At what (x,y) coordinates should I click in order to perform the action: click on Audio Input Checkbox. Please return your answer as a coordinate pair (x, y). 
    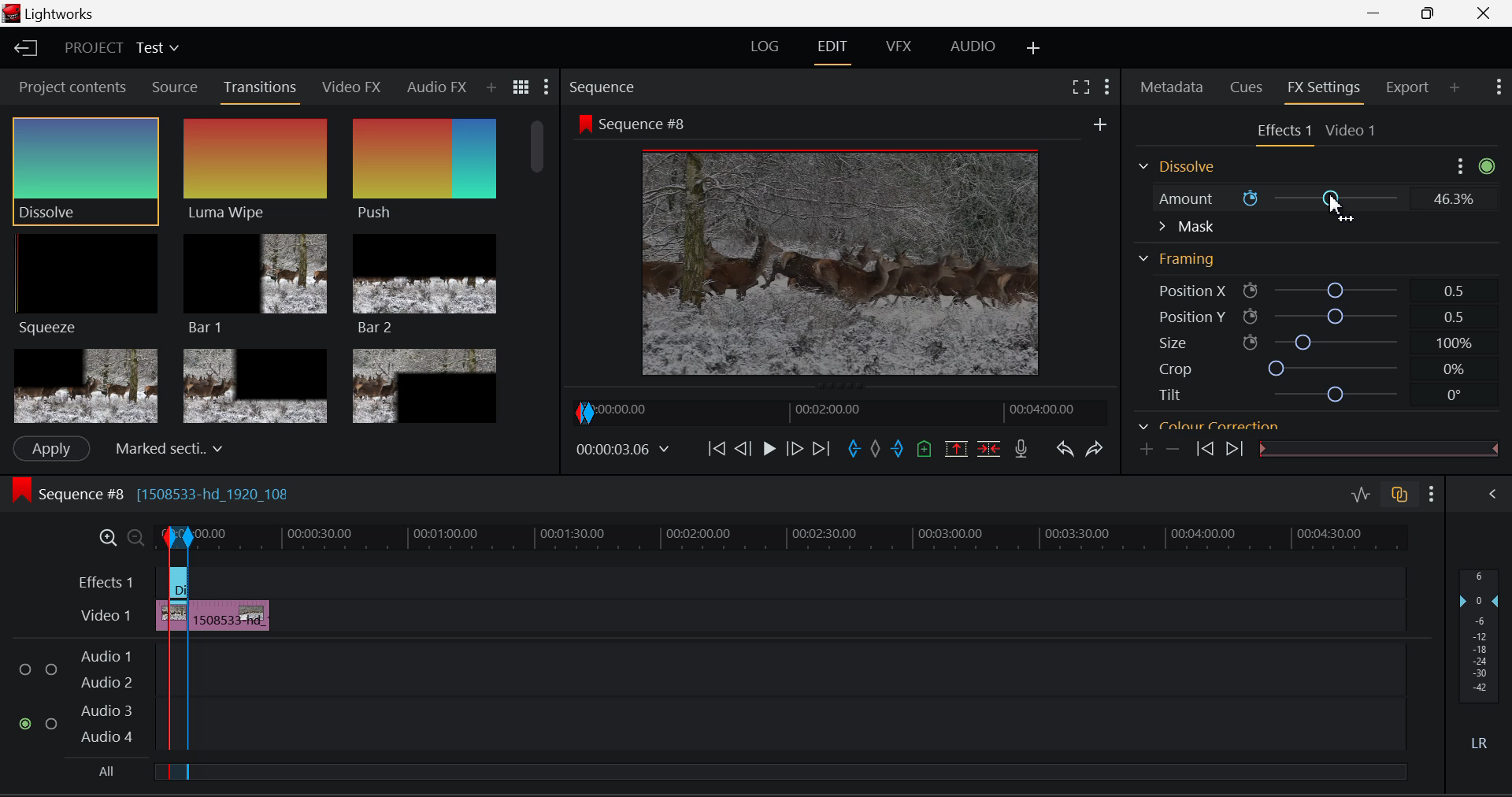
    Looking at the image, I should click on (27, 664).